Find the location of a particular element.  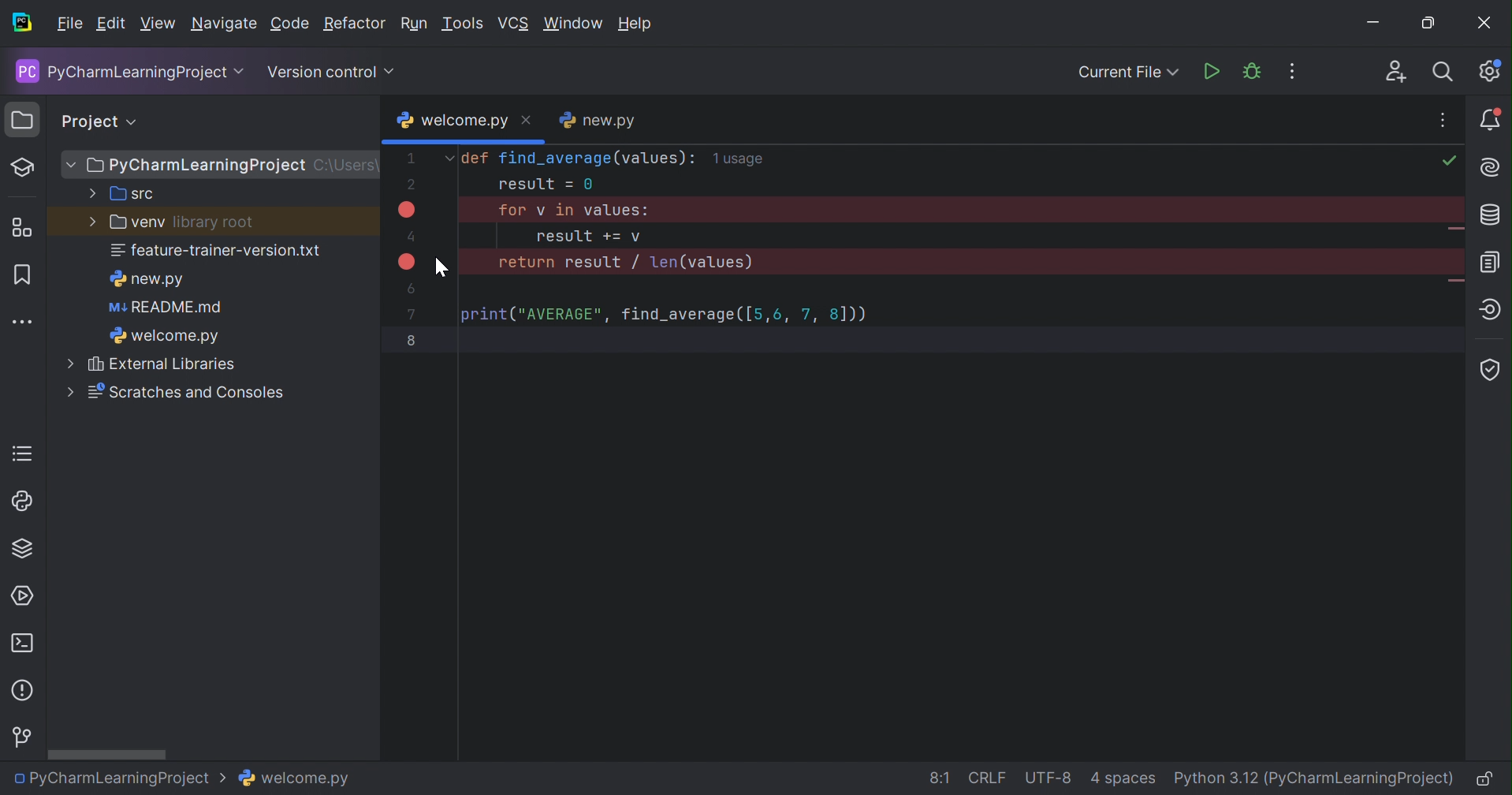

1usage is located at coordinates (742, 160).